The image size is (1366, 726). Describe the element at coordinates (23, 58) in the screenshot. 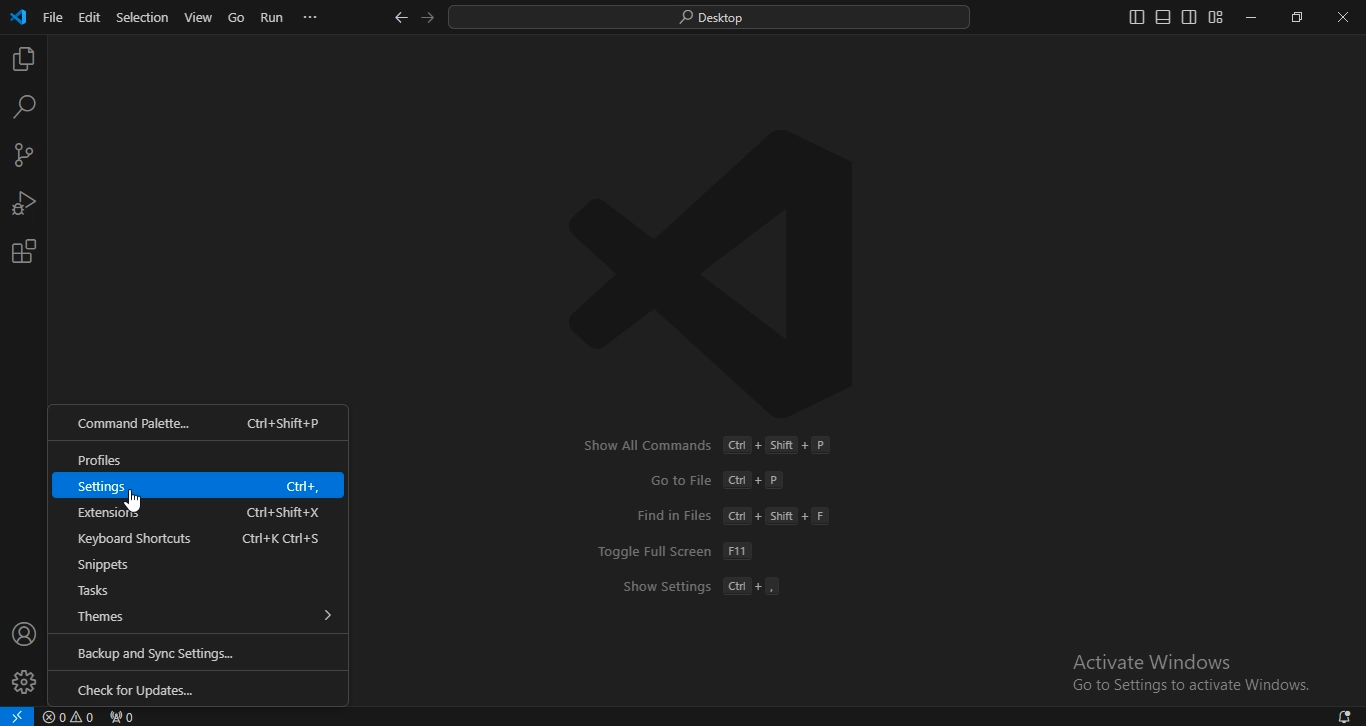

I see `explorer` at that location.